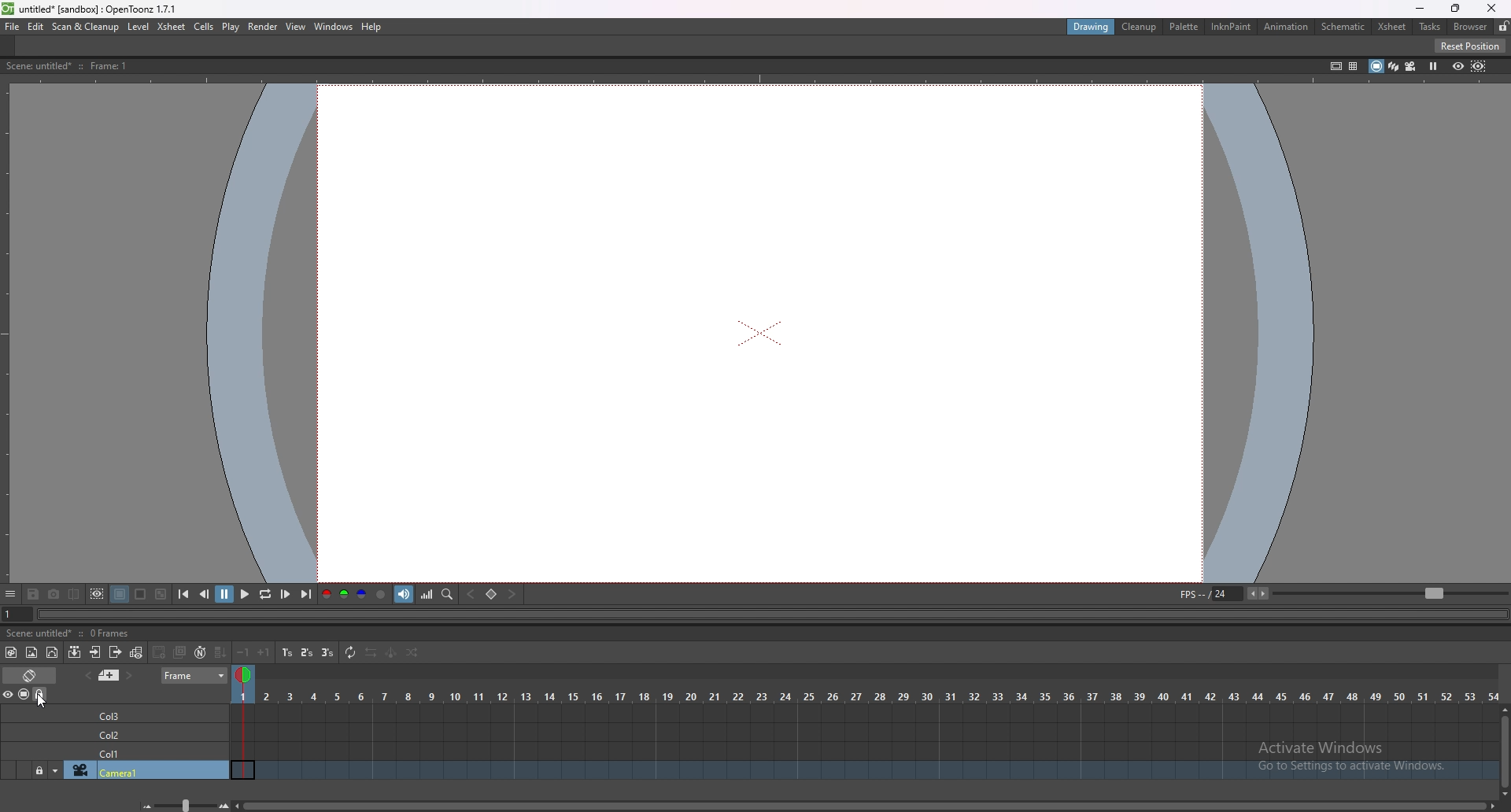 The height and width of the screenshot is (812, 1511). Describe the element at coordinates (31, 652) in the screenshot. I see `new raster level` at that location.